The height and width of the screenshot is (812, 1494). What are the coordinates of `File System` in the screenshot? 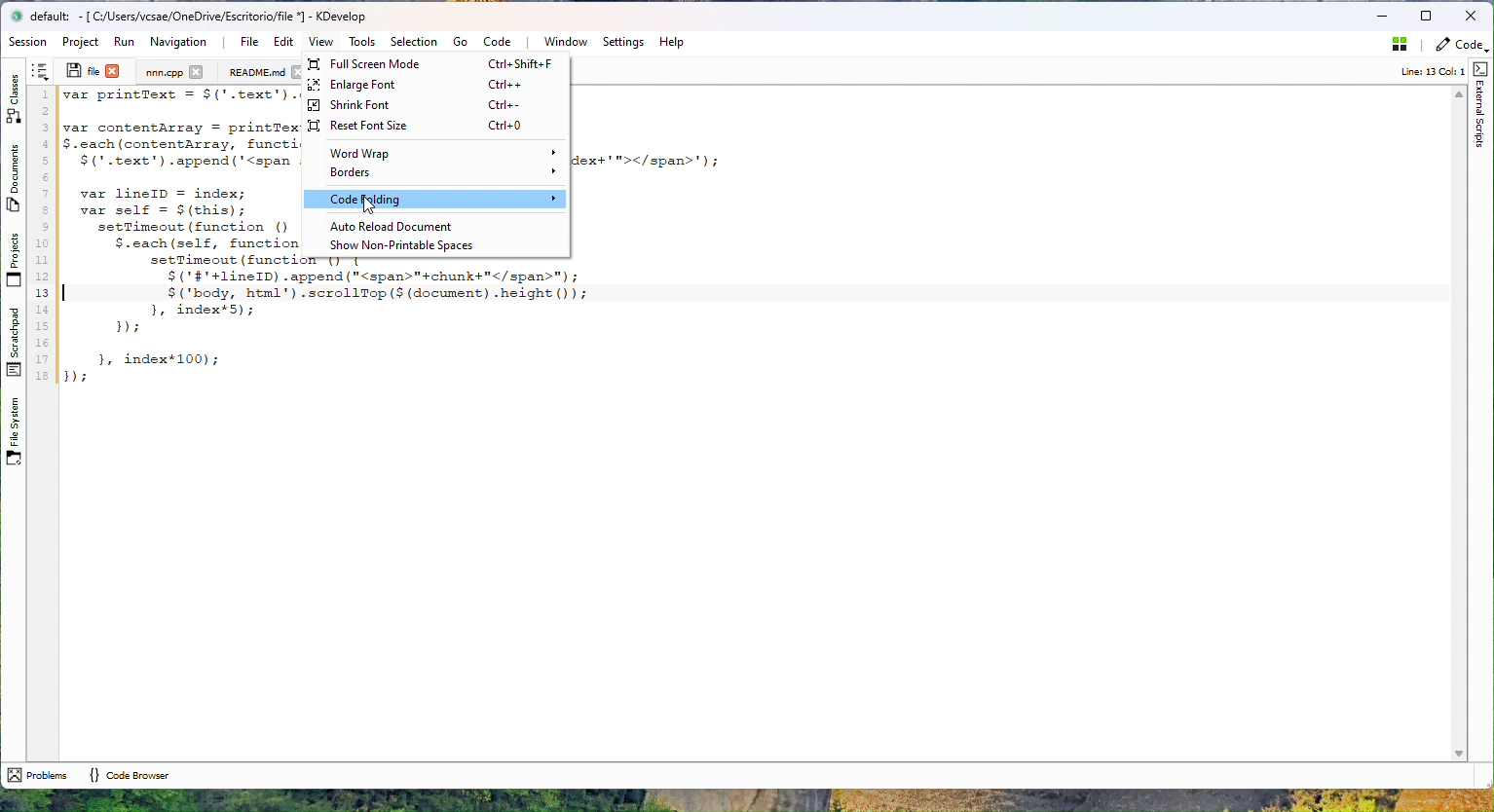 It's located at (12, 436).